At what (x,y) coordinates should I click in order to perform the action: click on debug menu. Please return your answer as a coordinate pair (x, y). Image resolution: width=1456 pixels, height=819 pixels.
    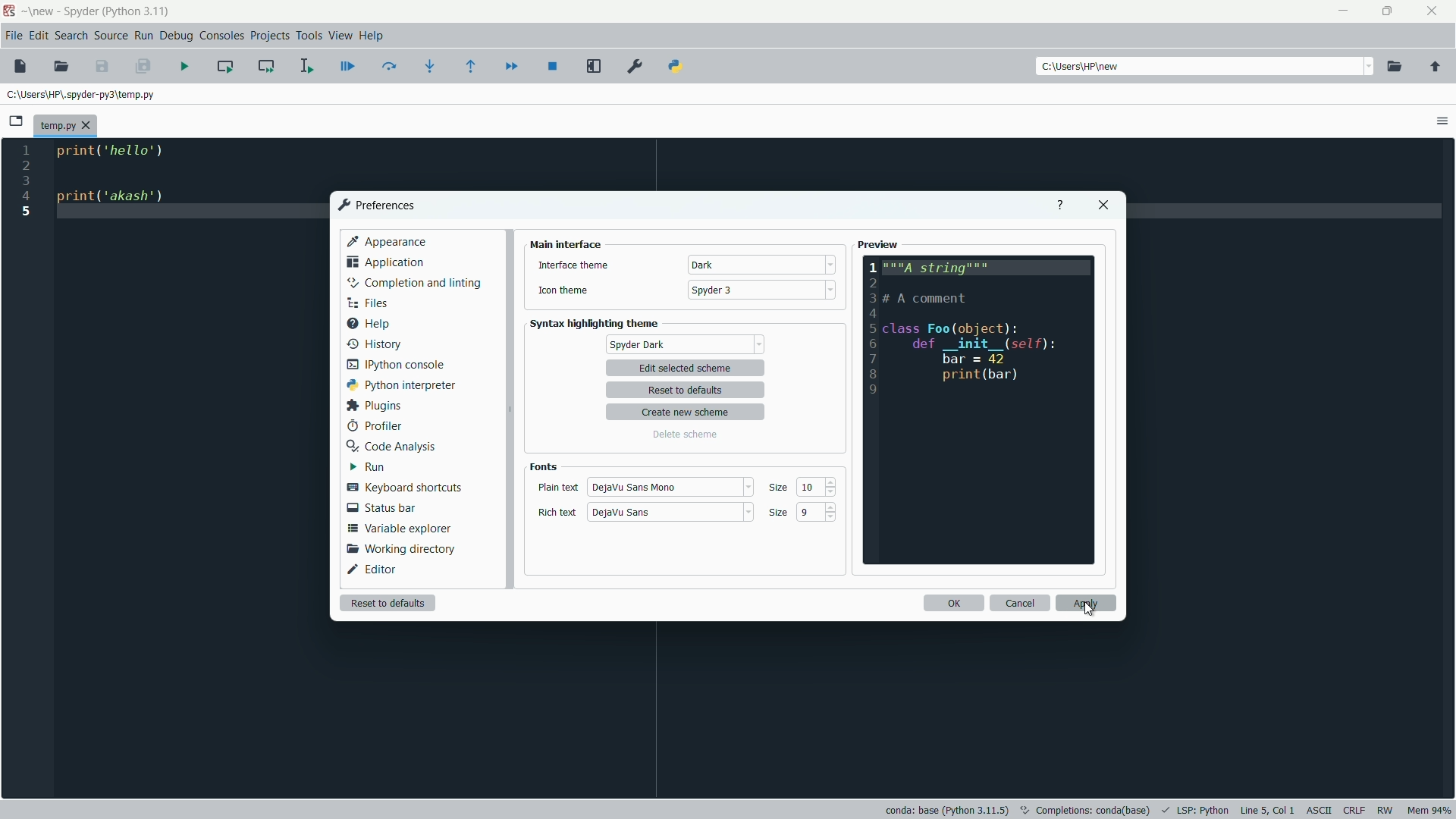
    Looking at the image, I should click on (176, 35).